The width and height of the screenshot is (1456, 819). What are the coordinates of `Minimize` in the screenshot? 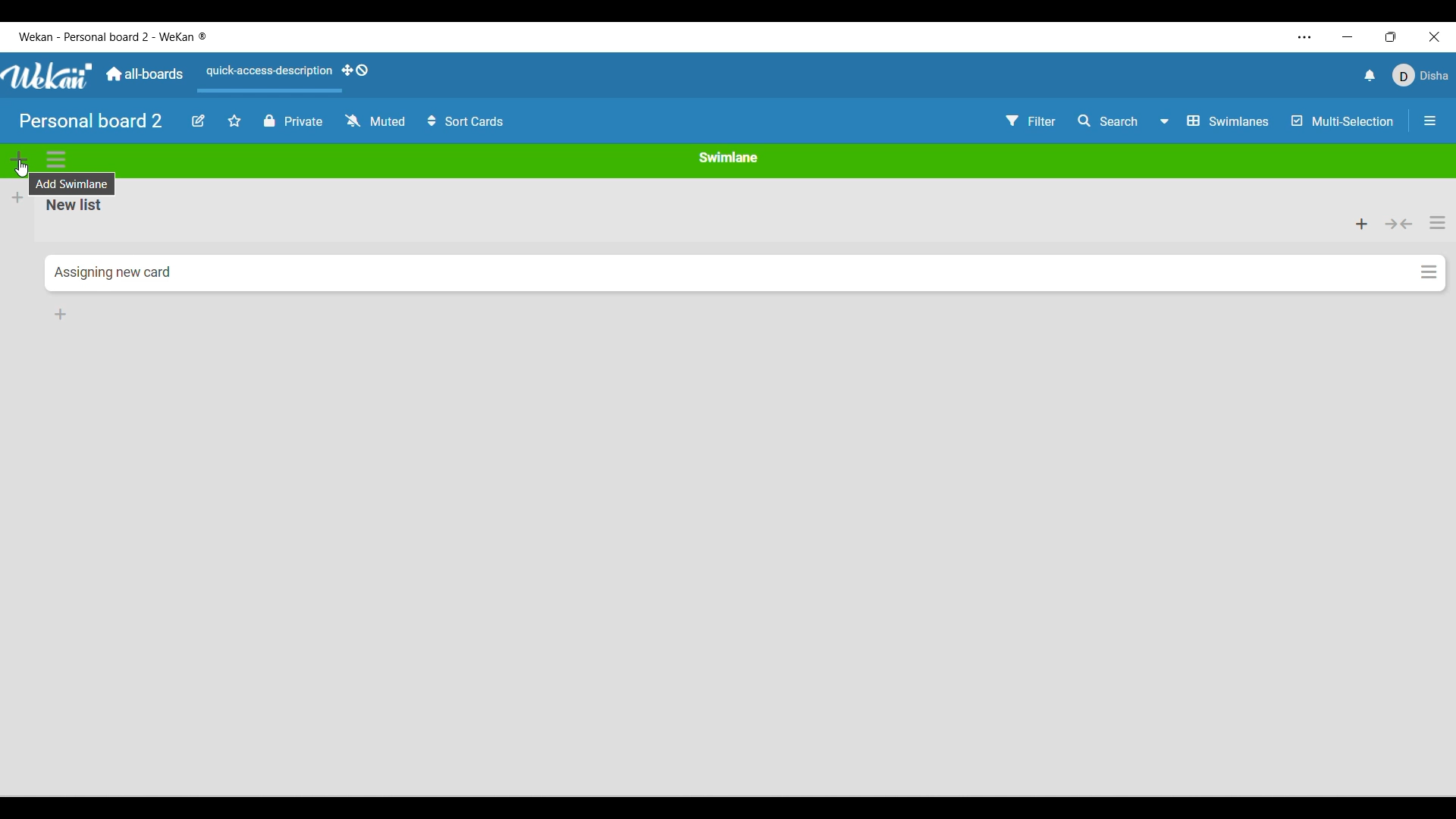 It's located at (1348, 37).